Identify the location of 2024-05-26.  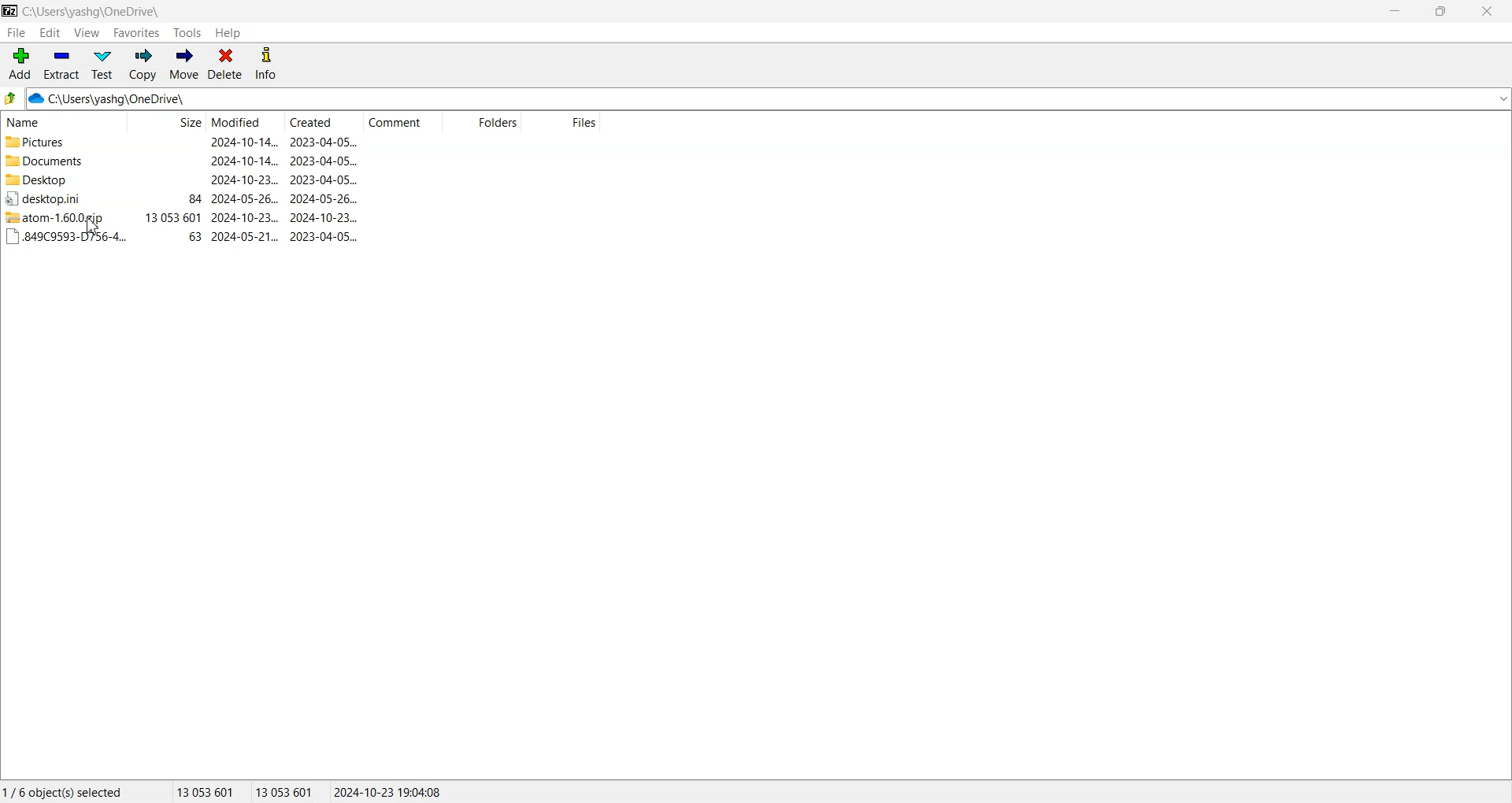
(245, 199).